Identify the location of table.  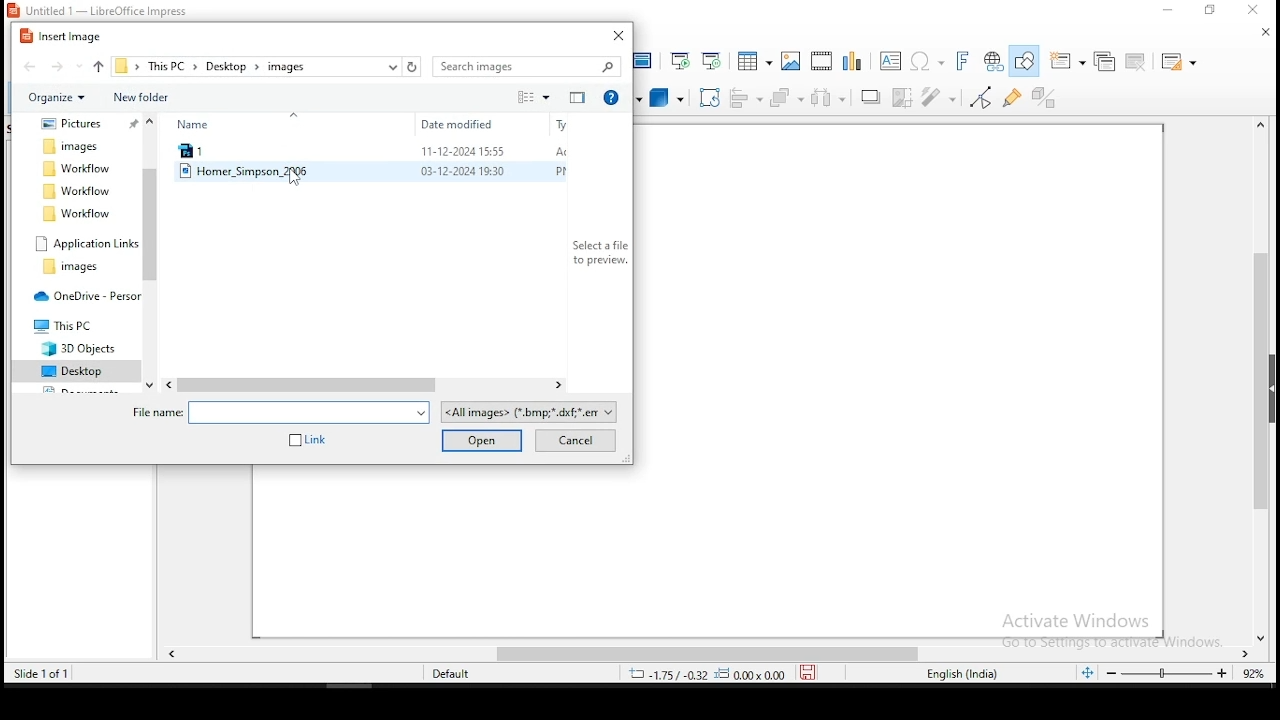
(754, 59).